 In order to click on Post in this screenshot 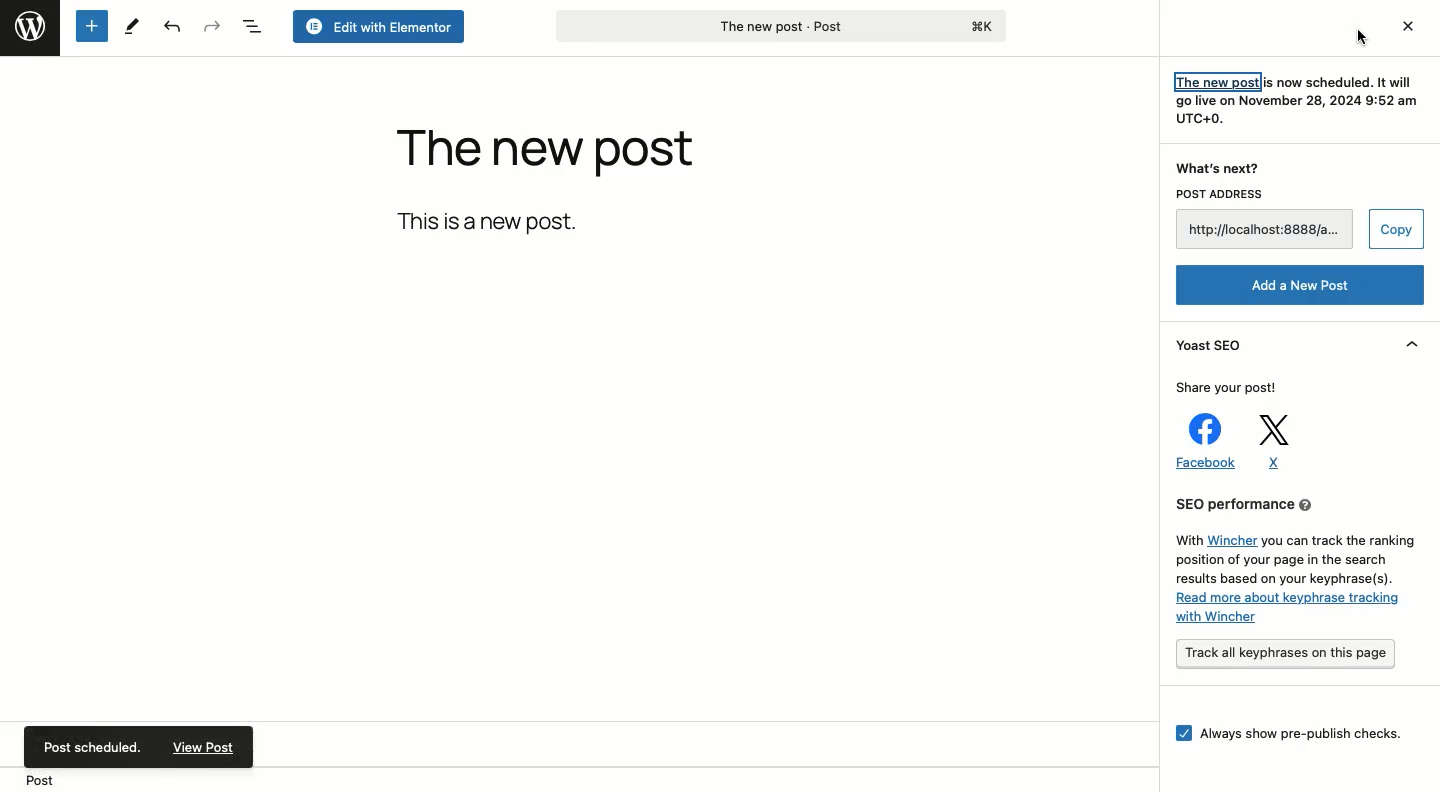, I will do `click(35, 780)`.